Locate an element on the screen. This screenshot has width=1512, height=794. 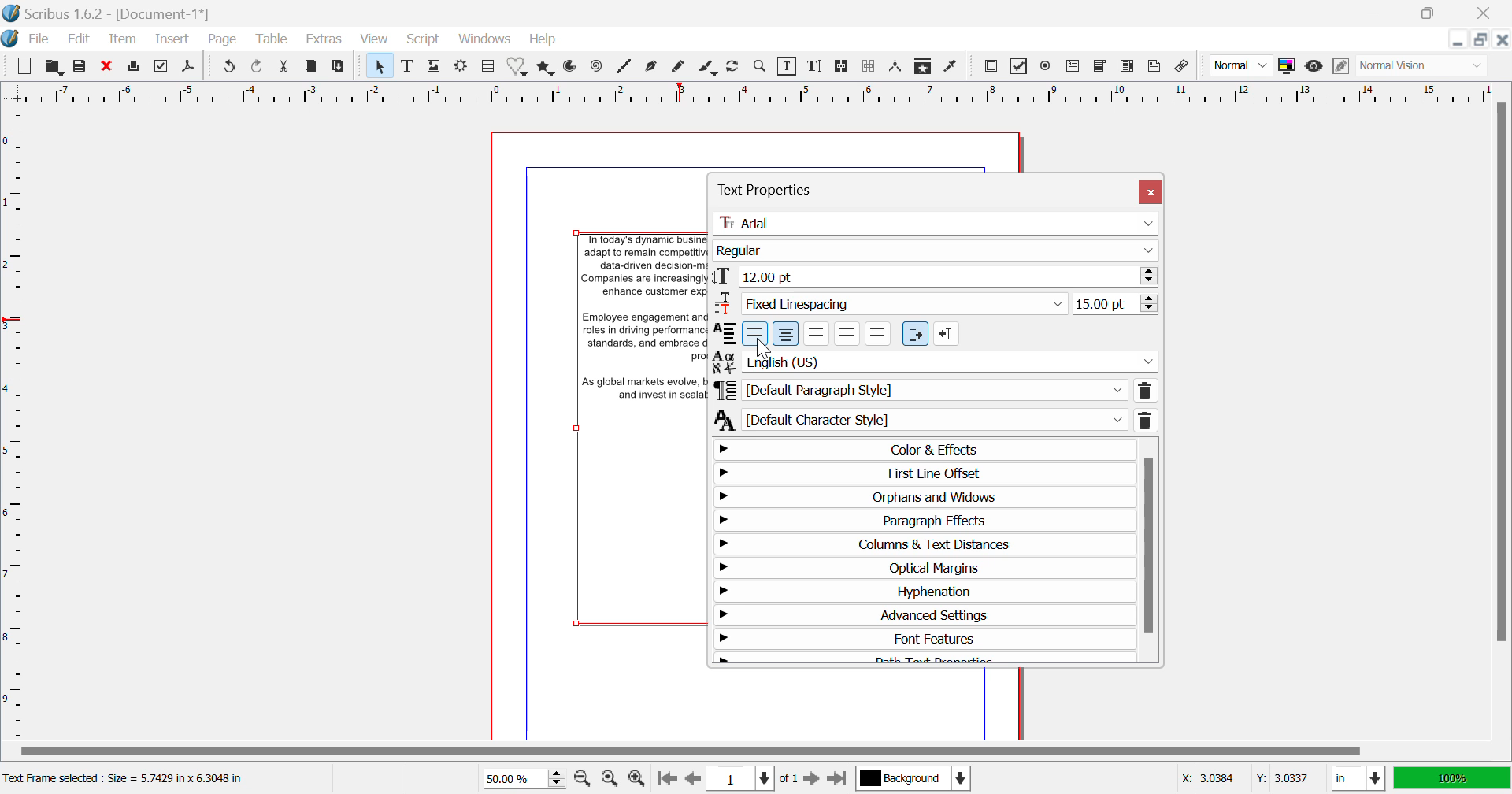
Preflight Verifier is located at coordinates (165, 66).